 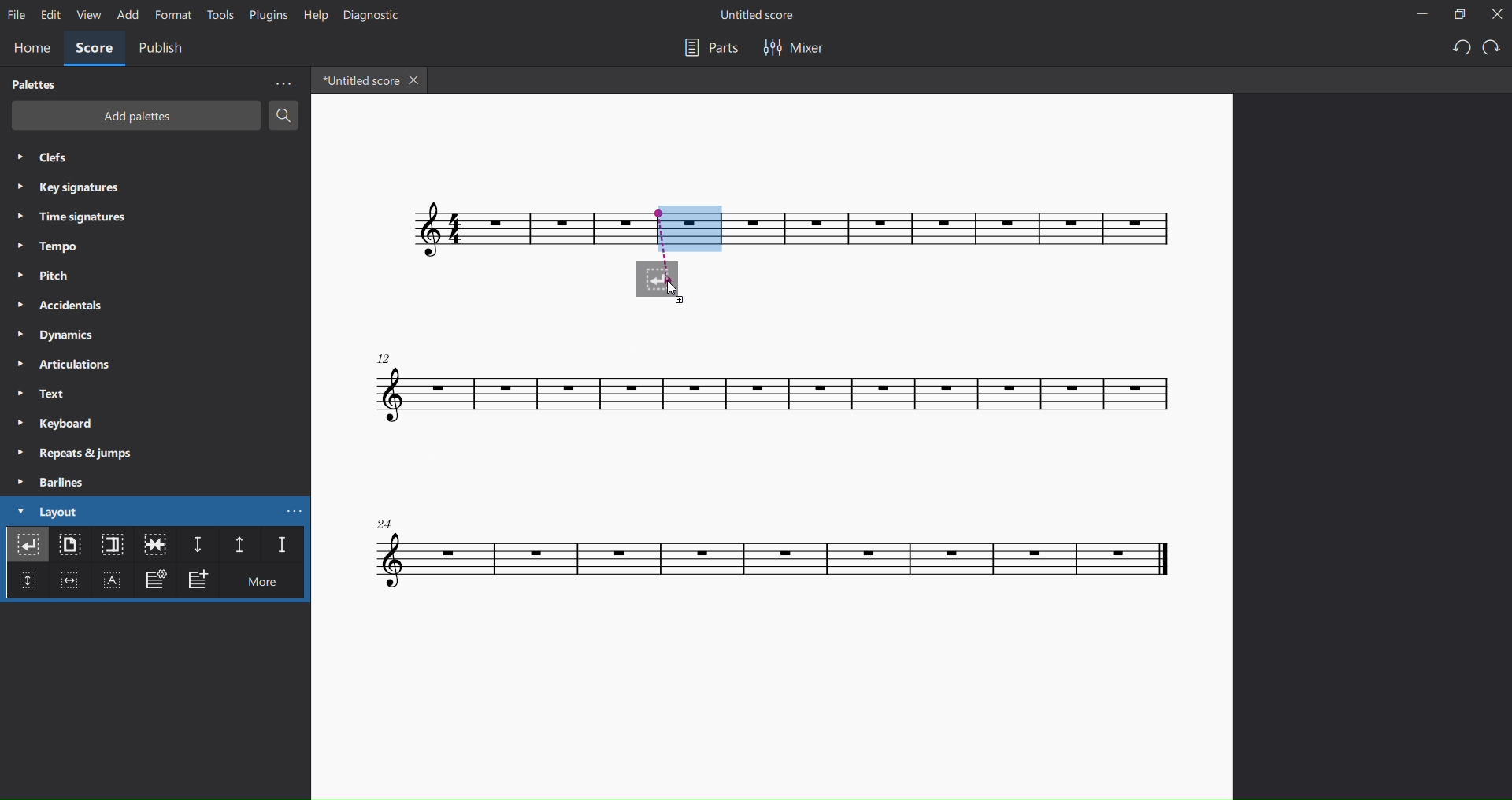 I want to click on mixer, so click(x=793, y=47).